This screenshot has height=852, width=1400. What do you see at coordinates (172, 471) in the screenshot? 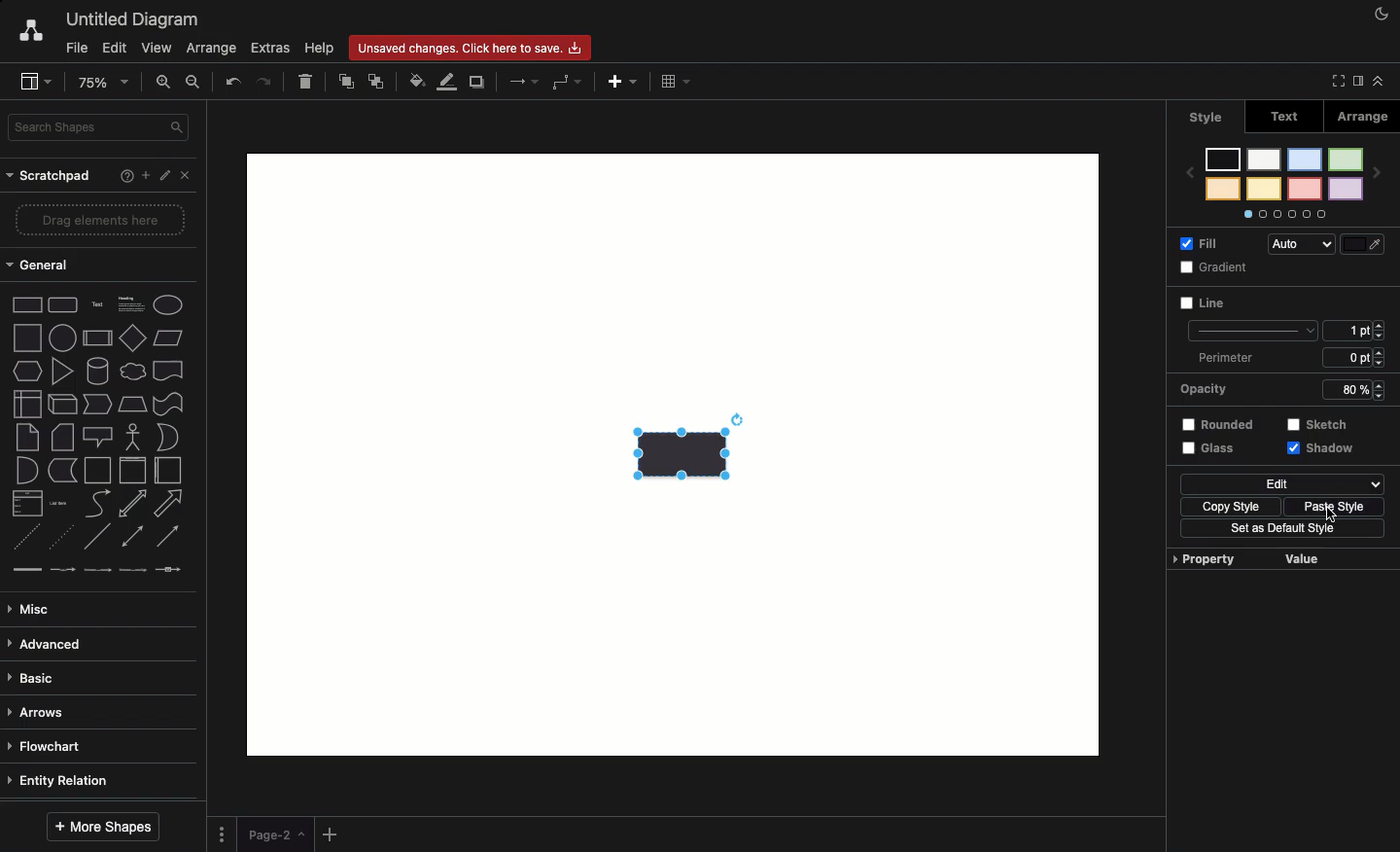
I see `horizontal container` at bounding box center [172, 471].